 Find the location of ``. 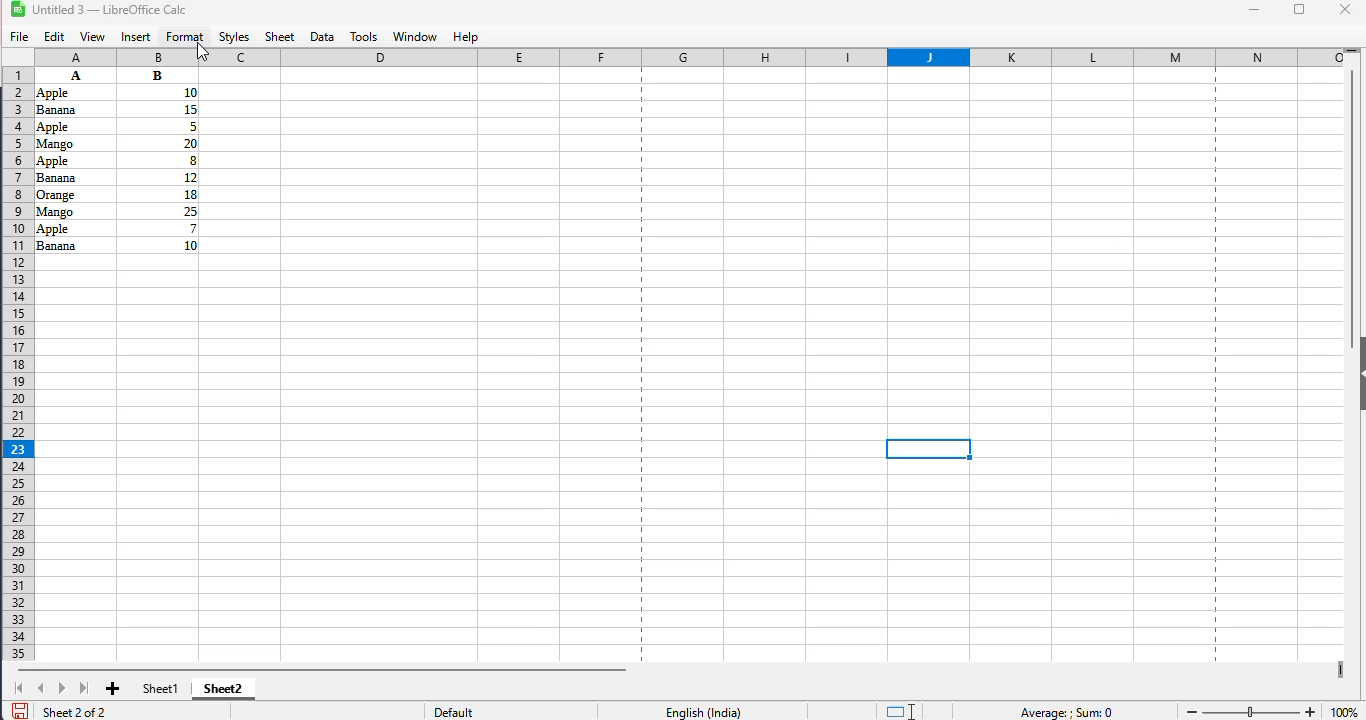

 is located at coordinates (160, 228).